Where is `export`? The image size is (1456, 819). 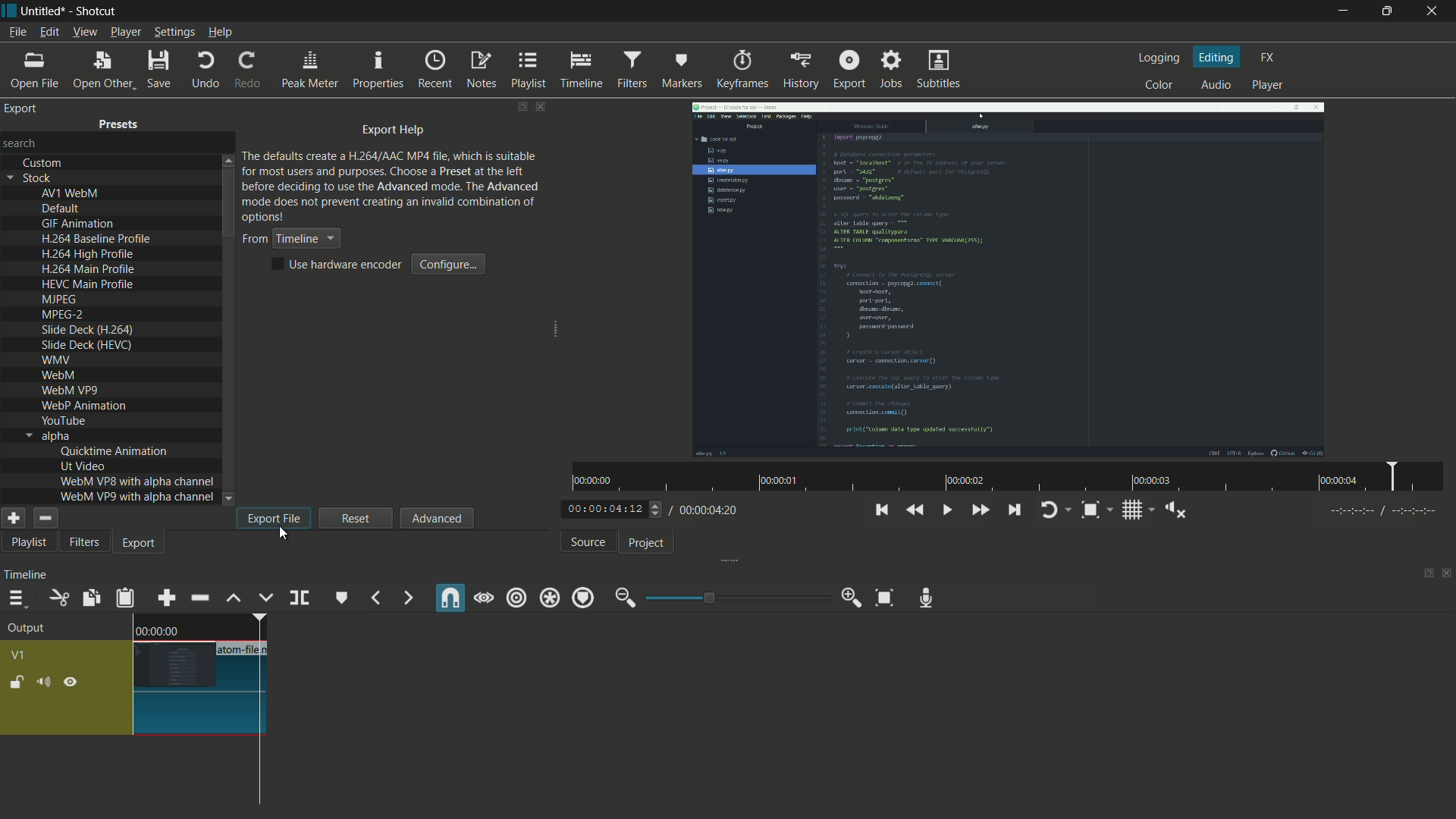
export is located at coordinates (22, 108).